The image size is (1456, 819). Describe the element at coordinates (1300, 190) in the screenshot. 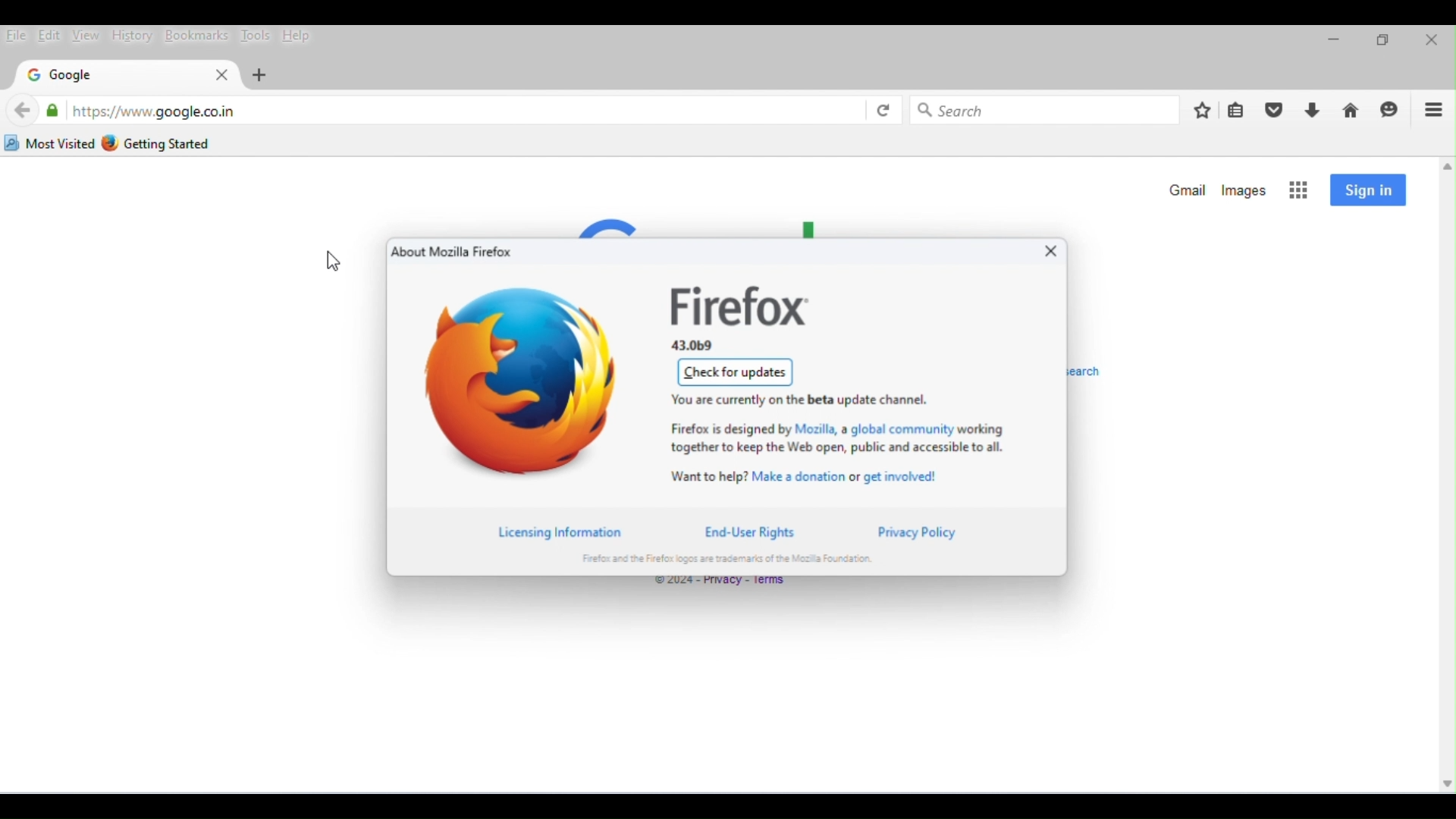

I see `google apps` at that location.